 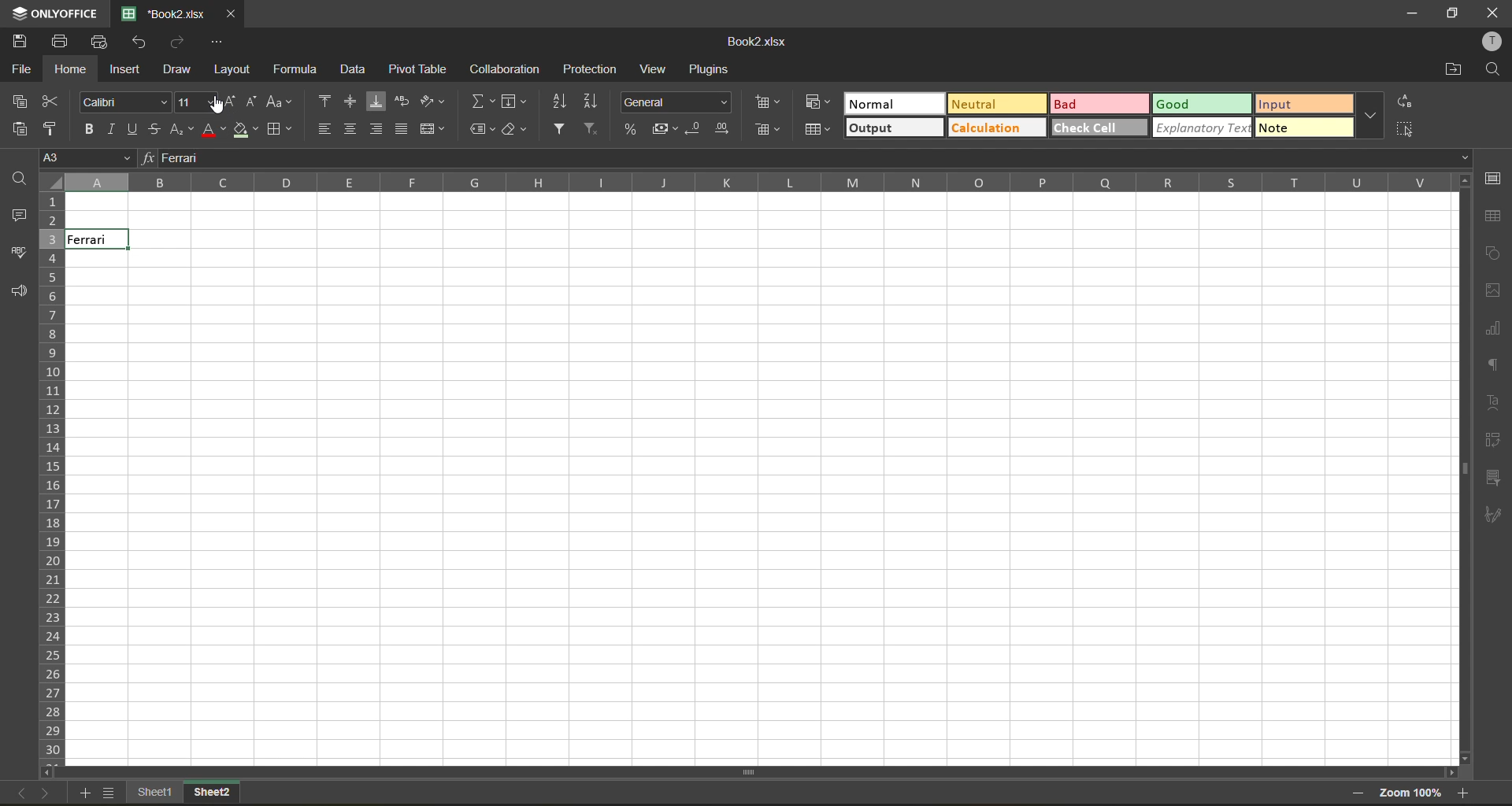 I want to click on quick print, so click(x=101, y=42).